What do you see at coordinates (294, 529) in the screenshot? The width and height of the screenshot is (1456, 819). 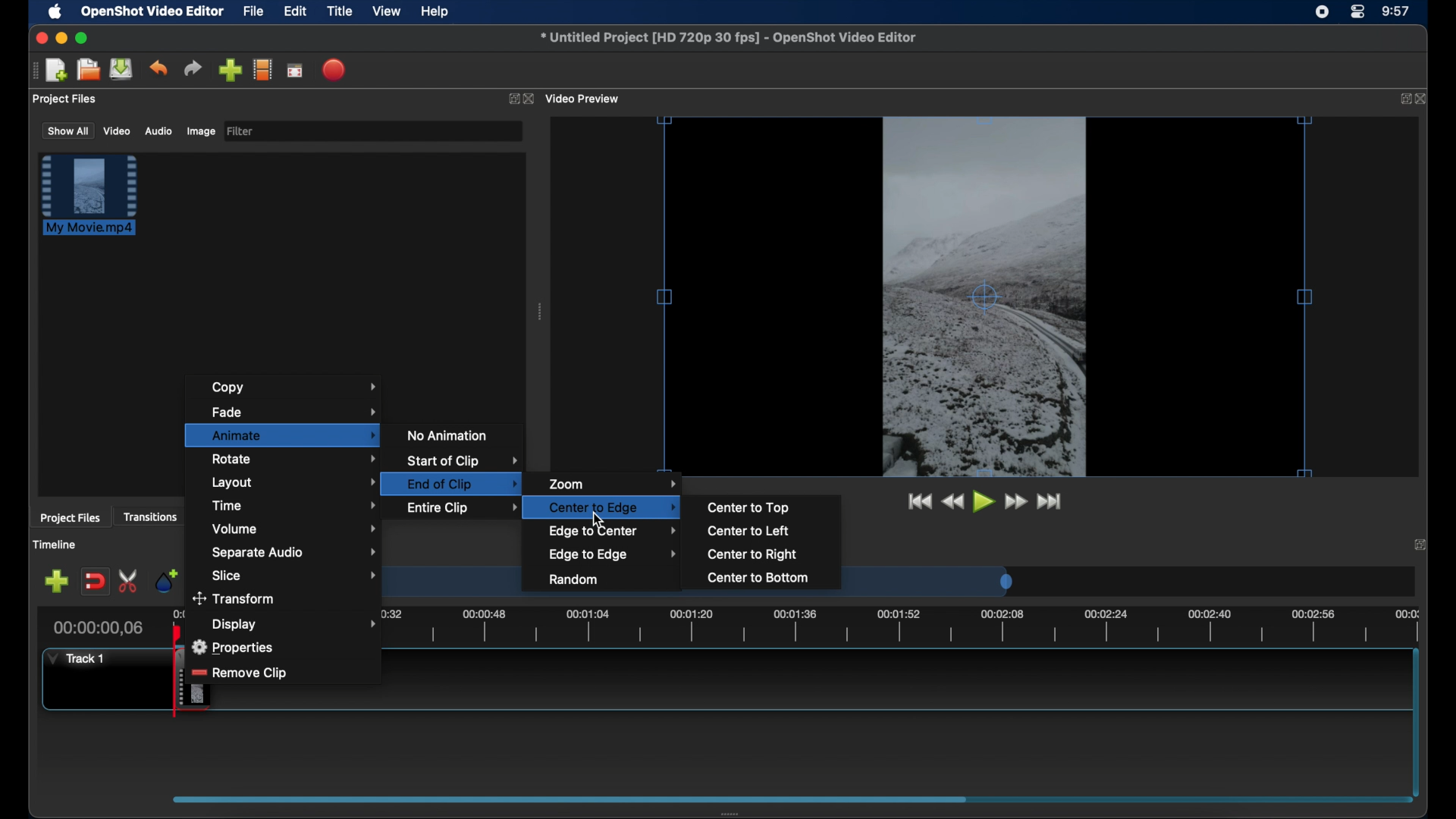 I see `volume menu` at bounding box center [294, 529].